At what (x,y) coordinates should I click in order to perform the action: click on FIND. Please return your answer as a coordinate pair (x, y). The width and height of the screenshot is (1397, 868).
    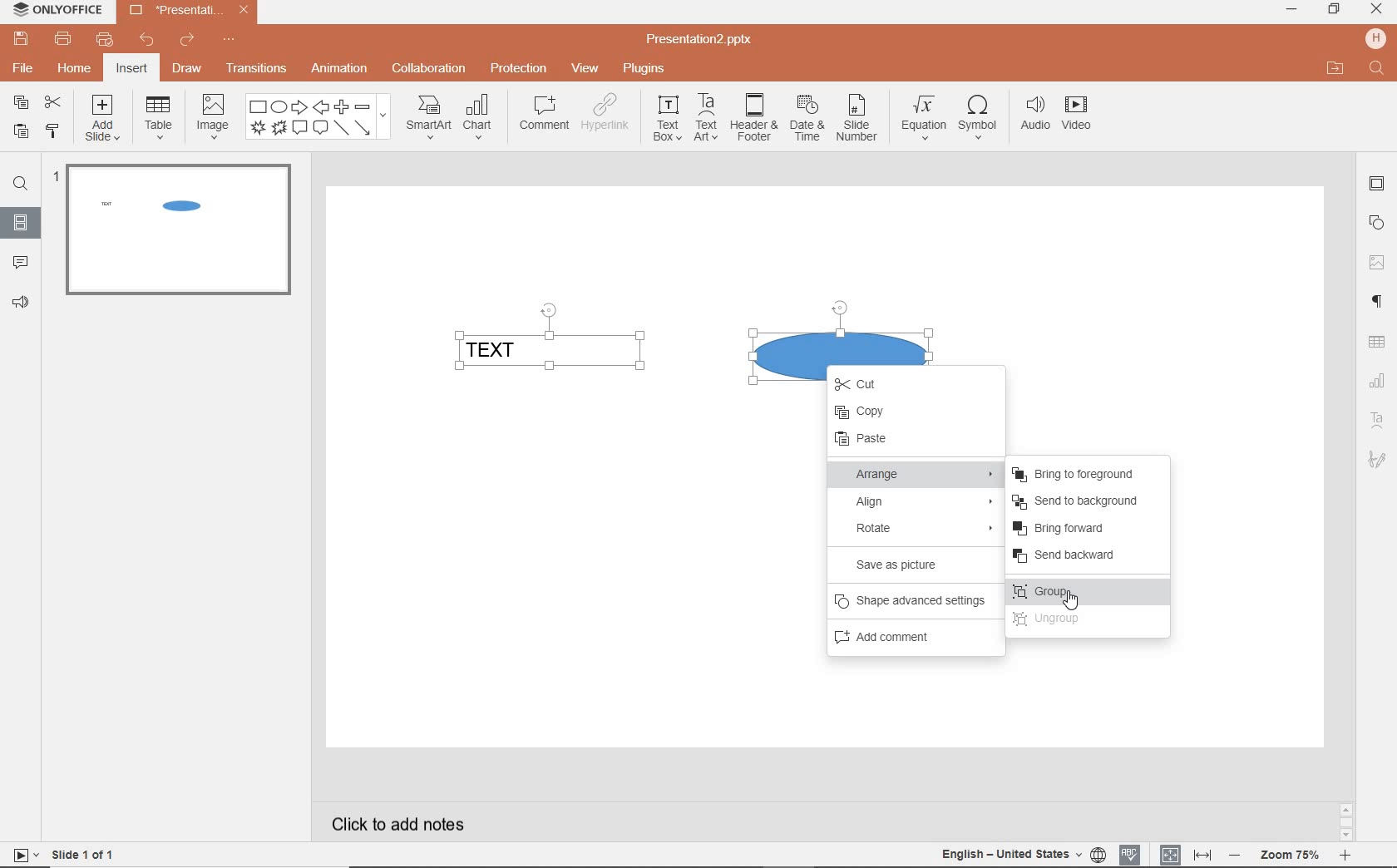
    Looking at the image, I should click on (18, 186).